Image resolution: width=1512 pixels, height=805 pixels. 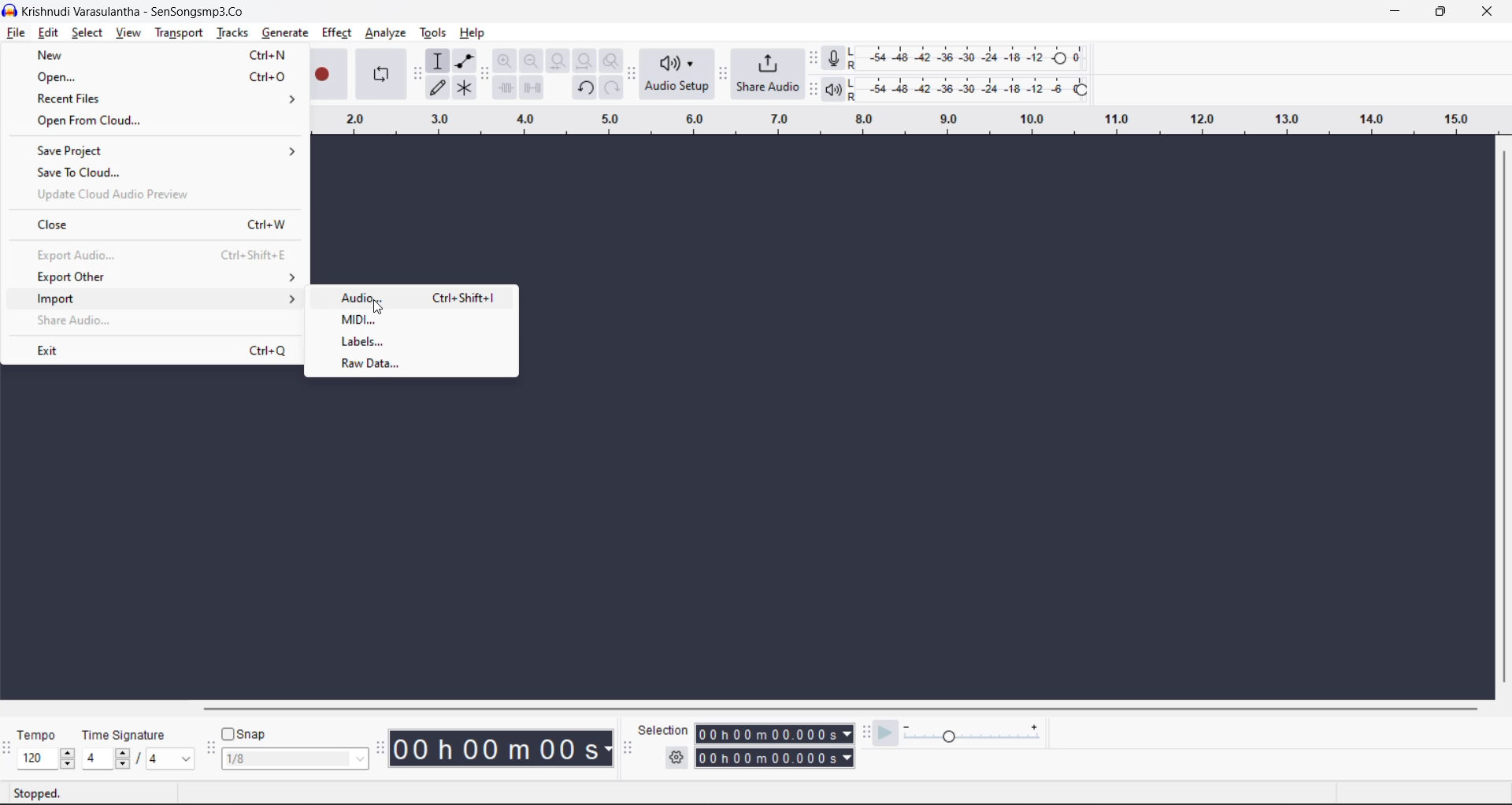 What do you see at coordinates (587, 88) in the screenshot?
I see `undo` at bounding box center [587, 88].